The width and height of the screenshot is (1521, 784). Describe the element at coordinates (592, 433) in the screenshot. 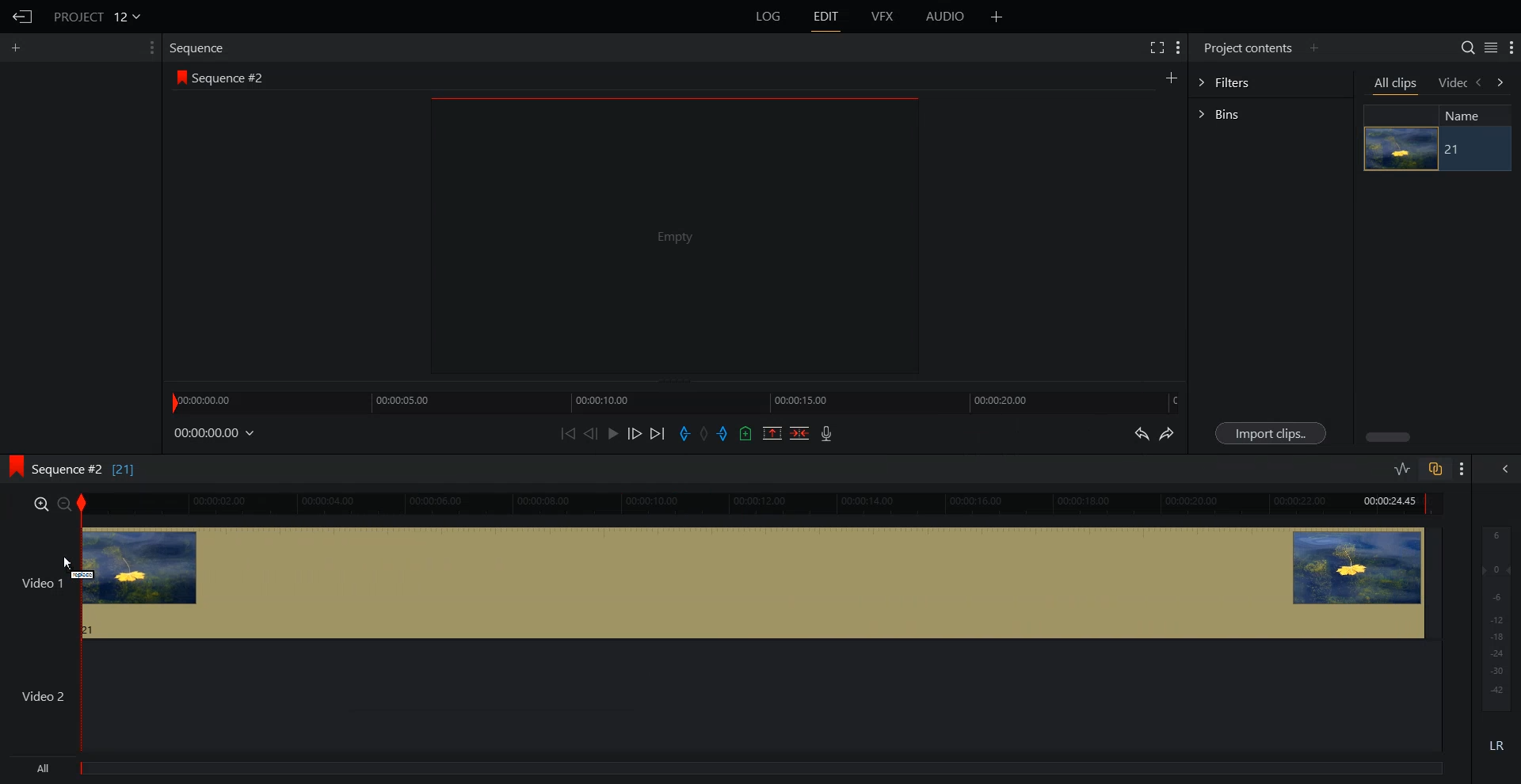

I see `Nudge One Frame Back` at that location.